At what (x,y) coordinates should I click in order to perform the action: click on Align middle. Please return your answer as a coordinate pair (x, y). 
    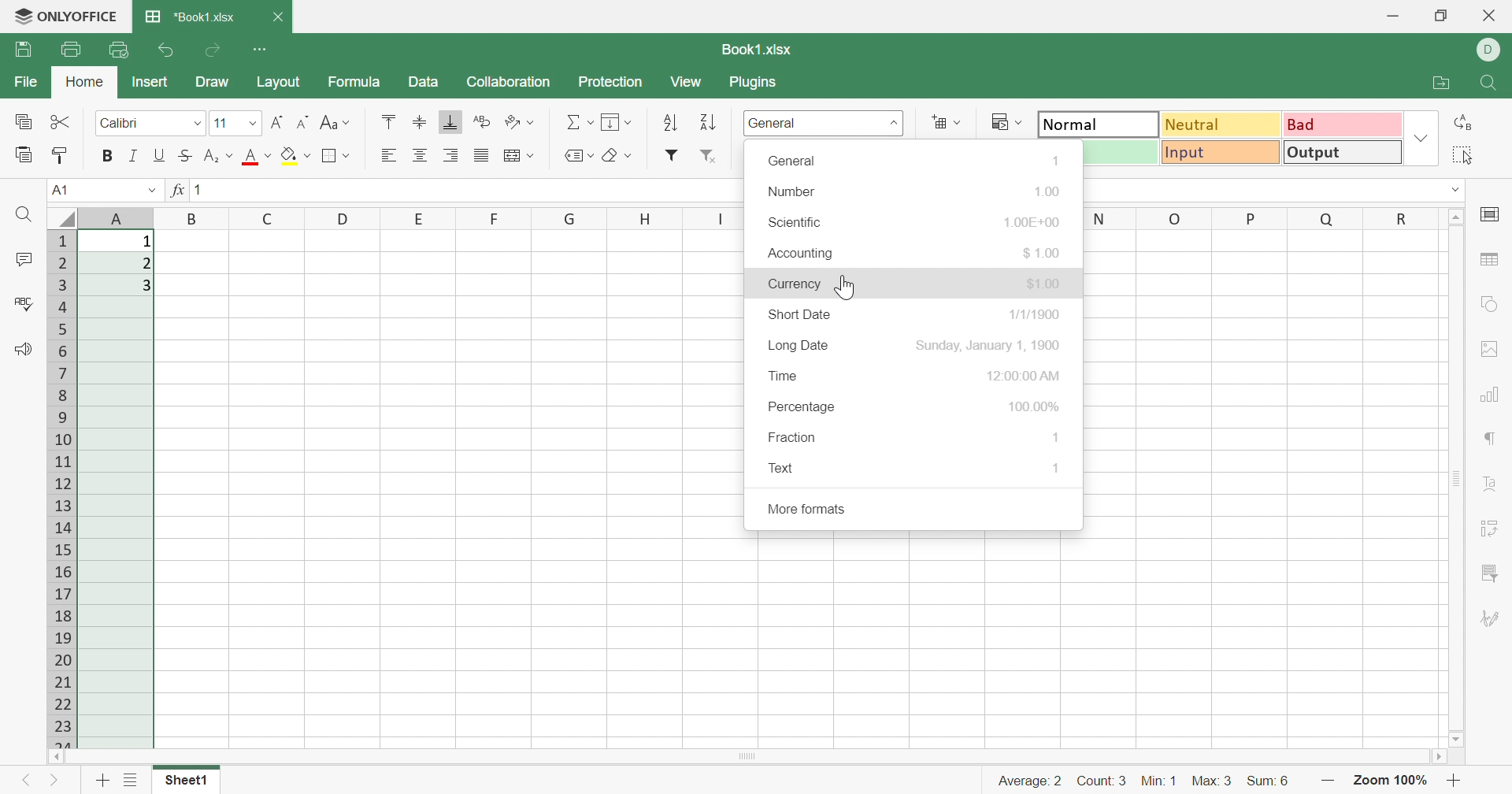
    Looking at the image, I should click on (421, 155).